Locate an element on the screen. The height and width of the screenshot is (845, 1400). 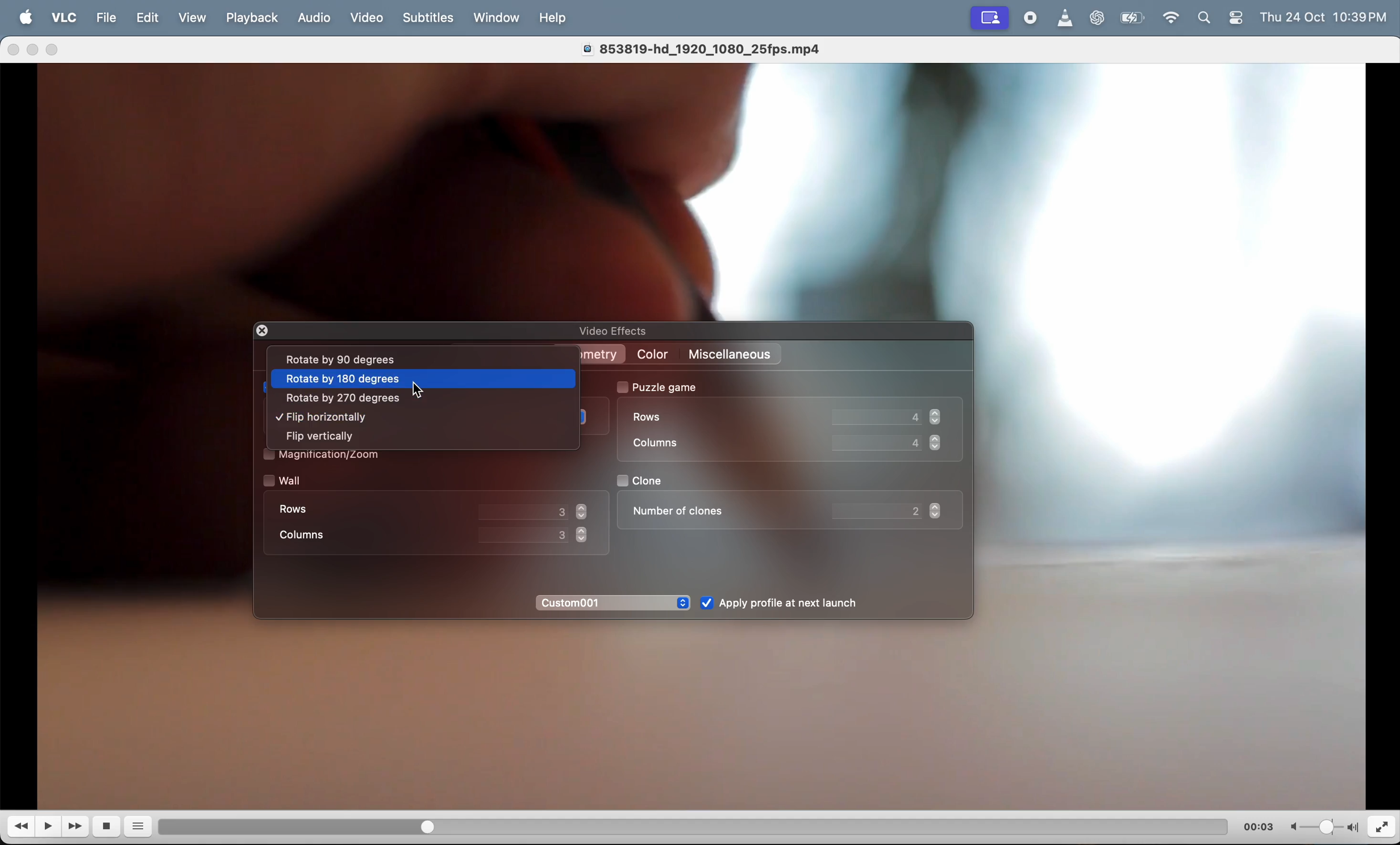
video title is located at coordinates (711, 47).